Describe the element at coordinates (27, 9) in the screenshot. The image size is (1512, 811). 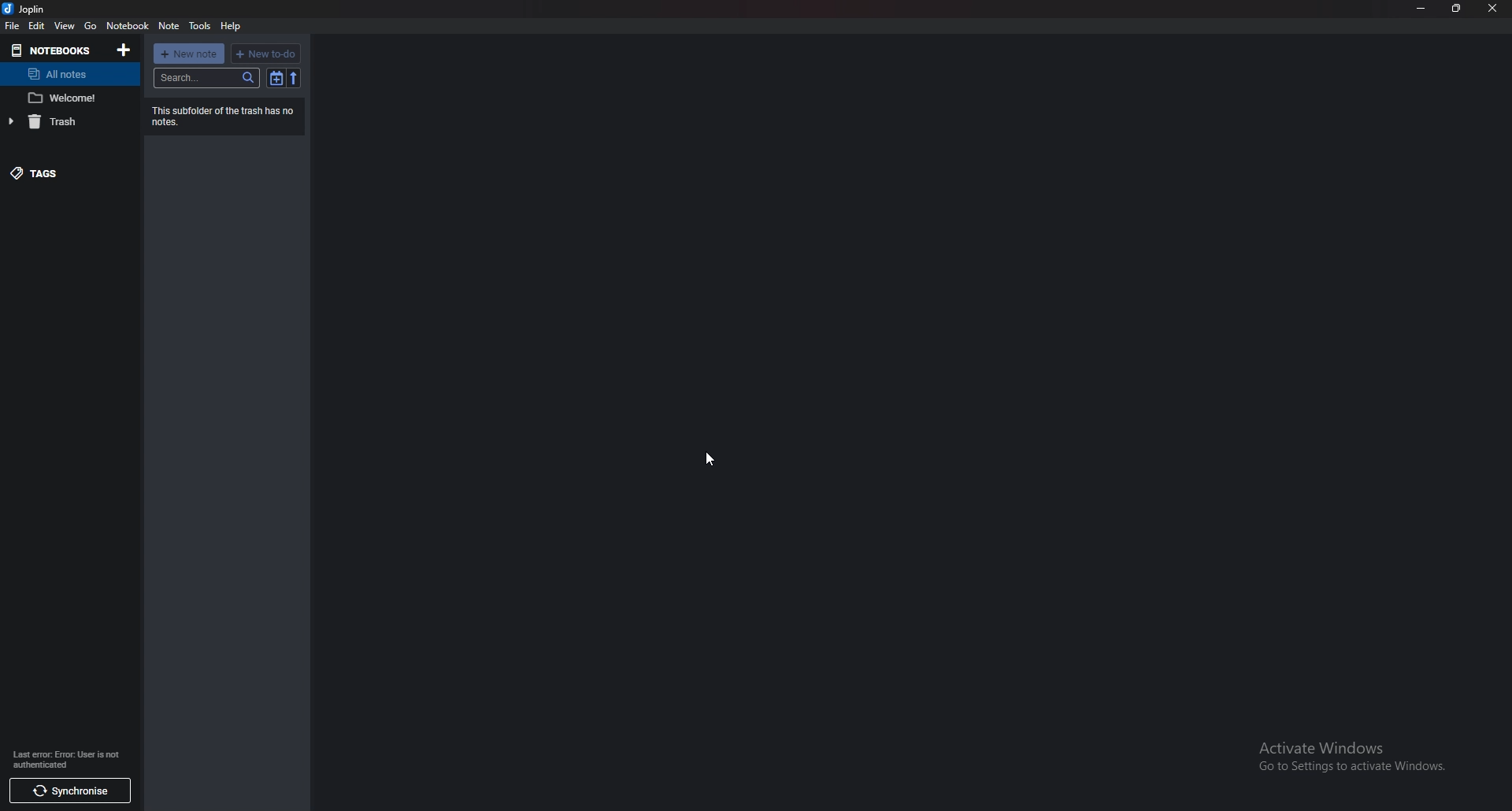
I see `joplin` at that location.